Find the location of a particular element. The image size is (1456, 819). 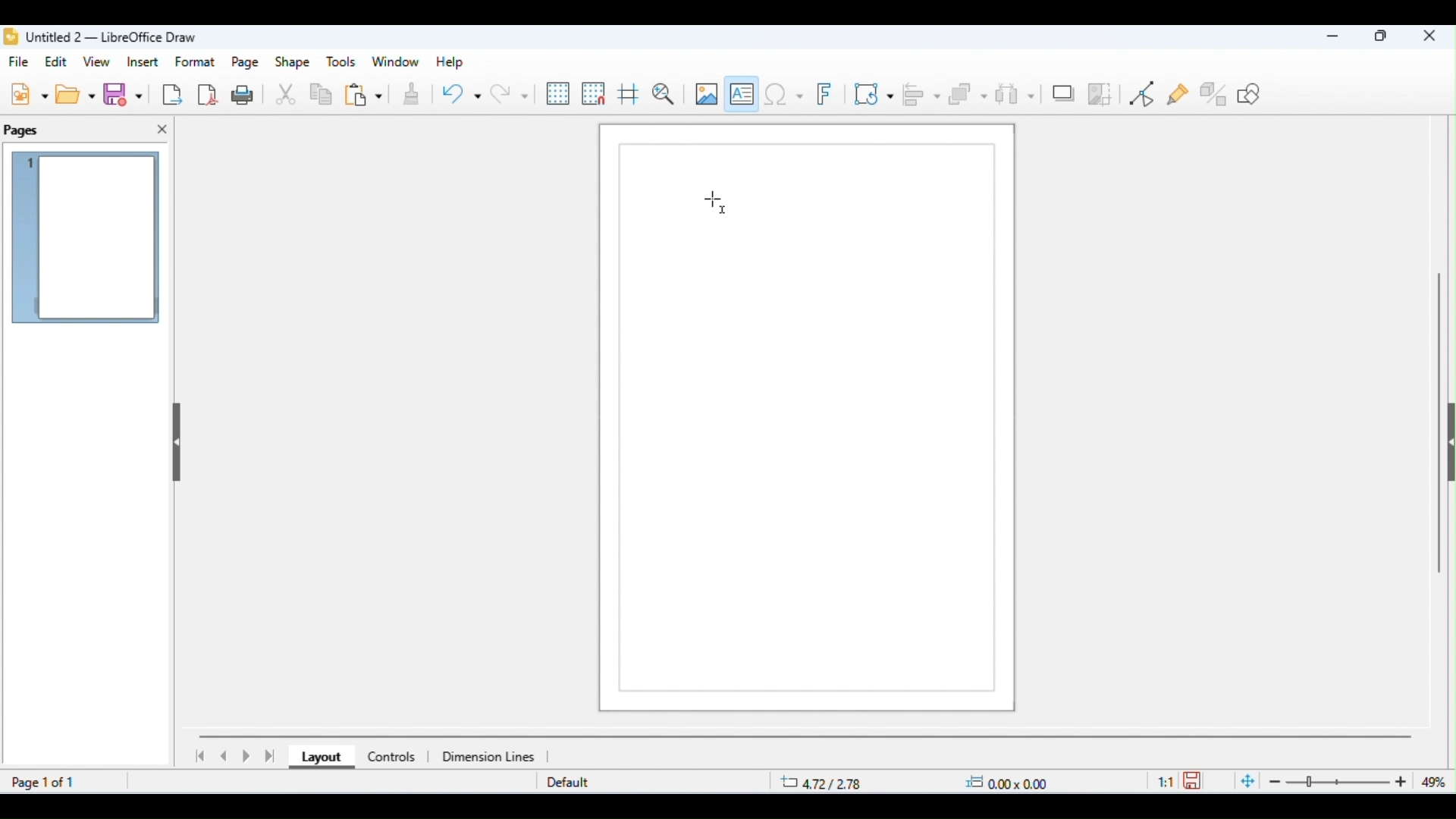

insert is located at coordinates (143, 61).